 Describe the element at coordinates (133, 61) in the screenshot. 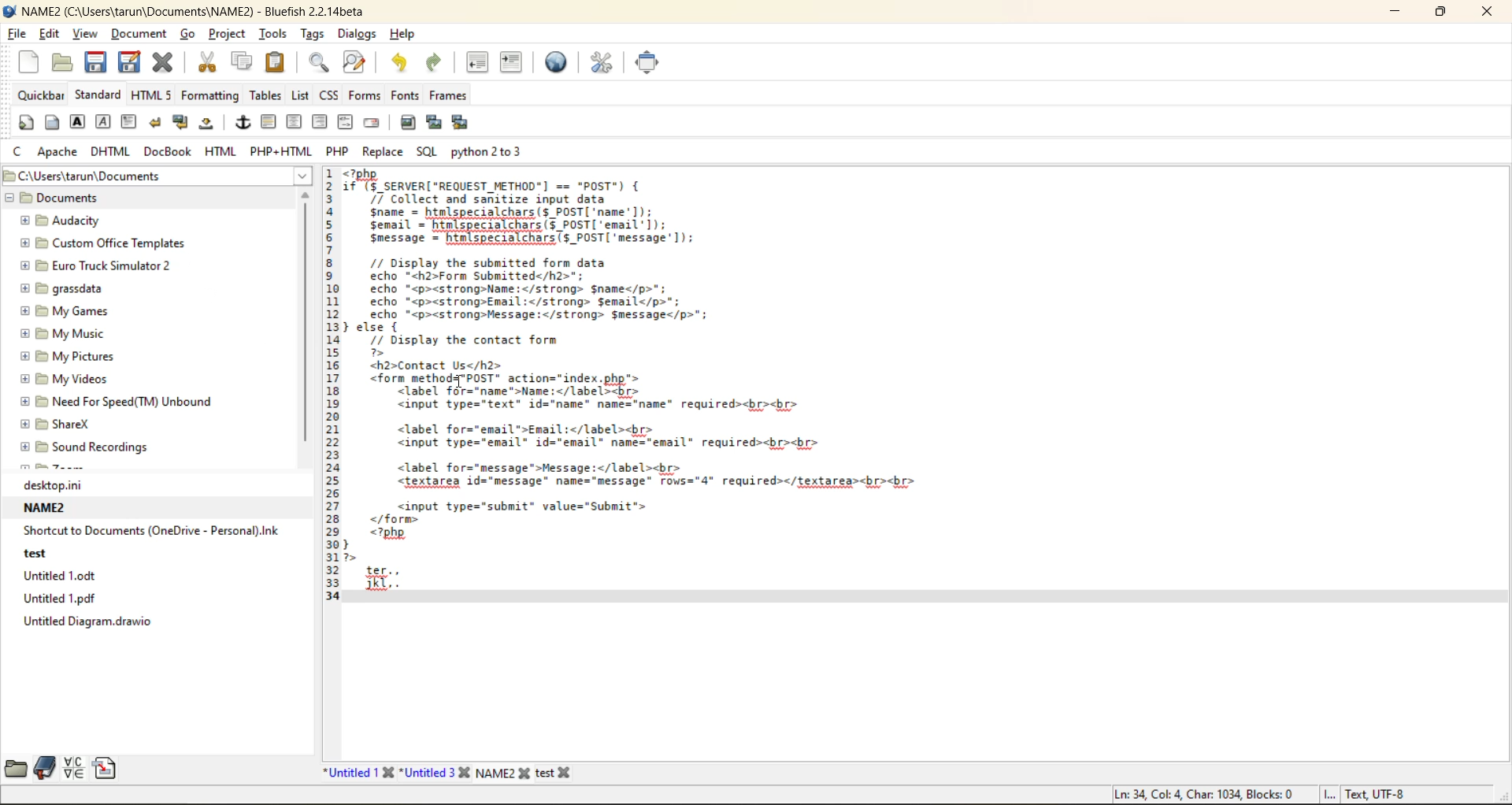

I see `save as` at that location.